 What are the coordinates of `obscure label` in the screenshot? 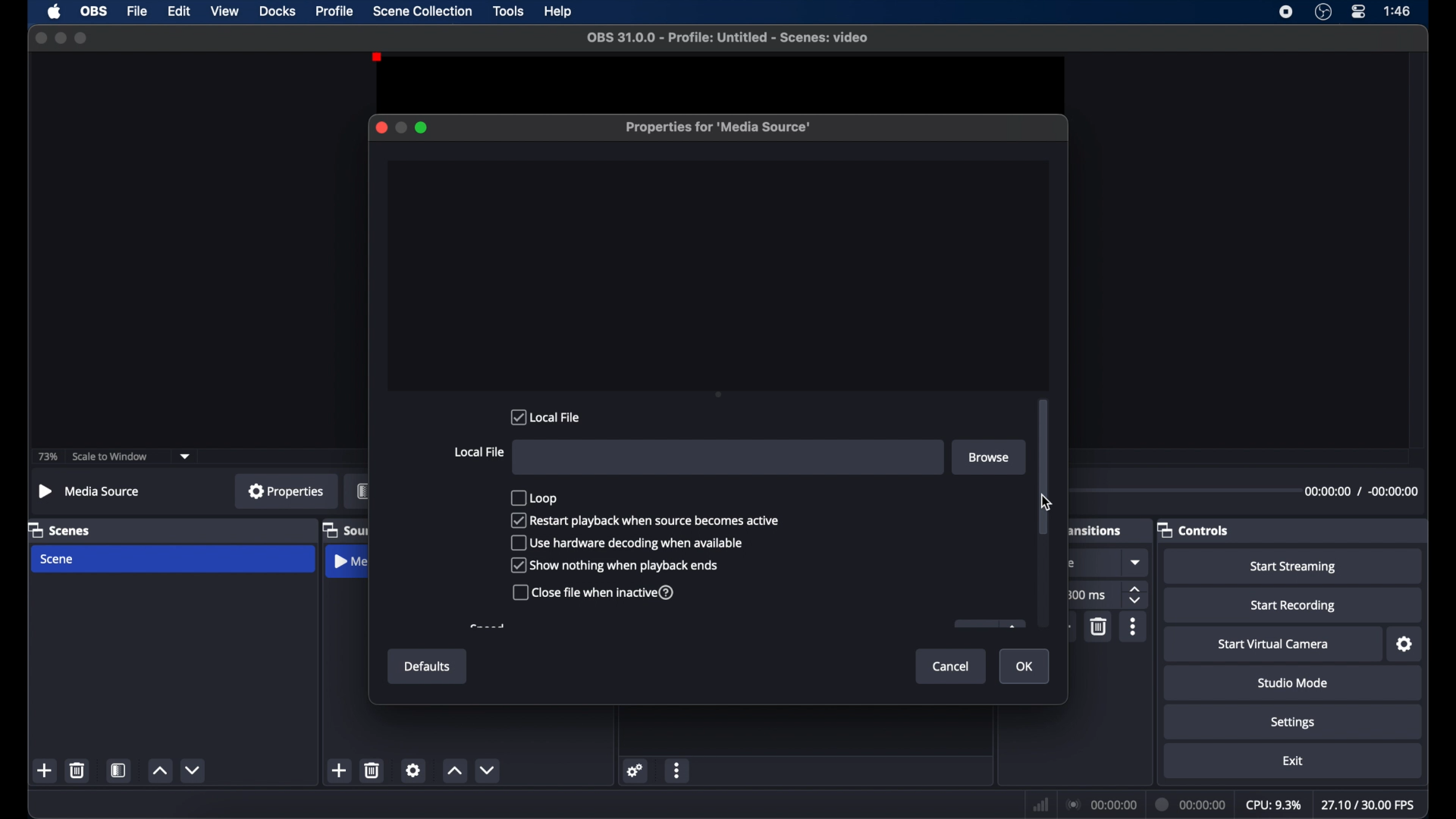 It's located at (1094, 529).